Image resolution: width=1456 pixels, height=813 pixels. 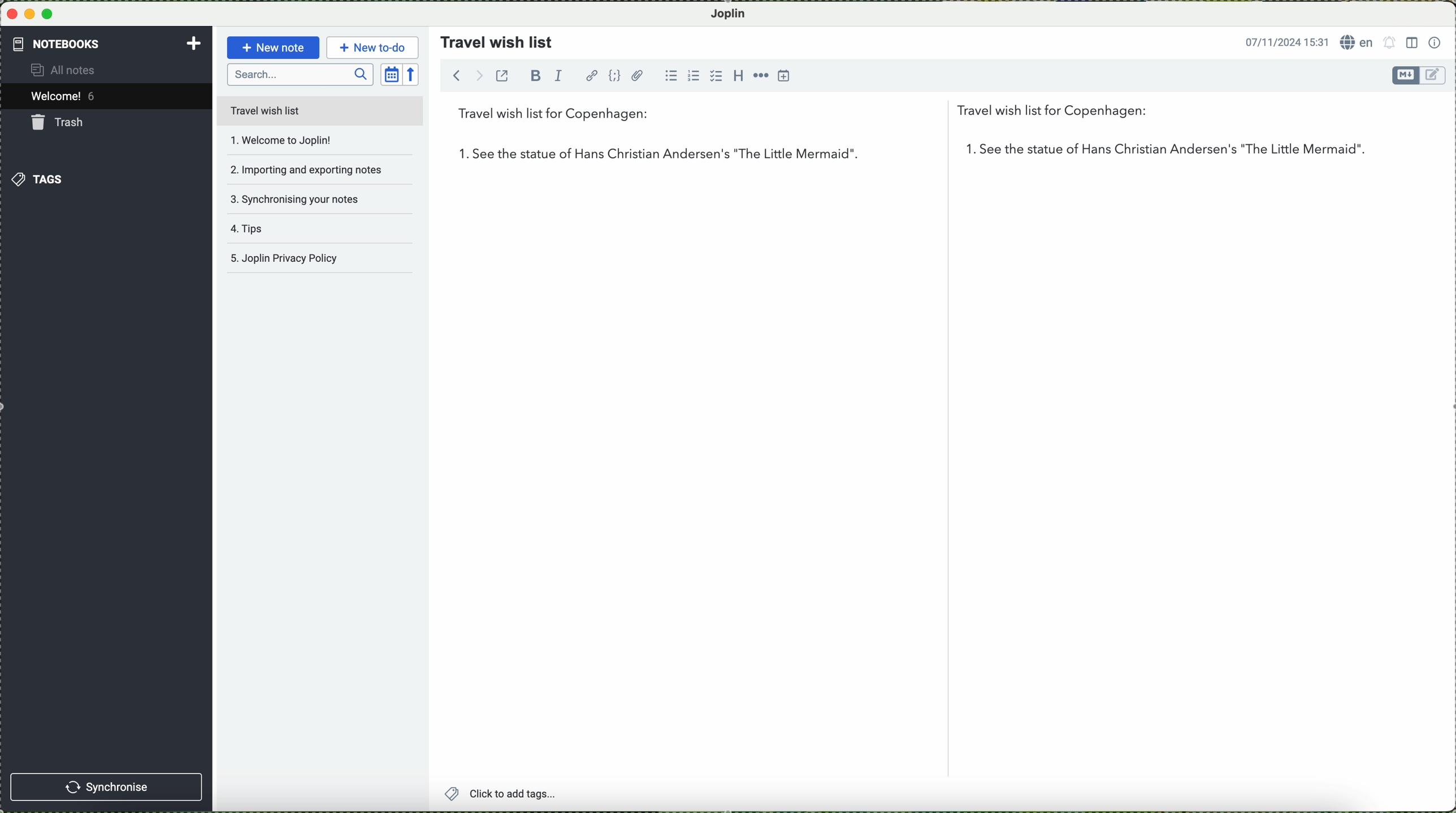 I want to click on heading, so click(x=736, y=75).